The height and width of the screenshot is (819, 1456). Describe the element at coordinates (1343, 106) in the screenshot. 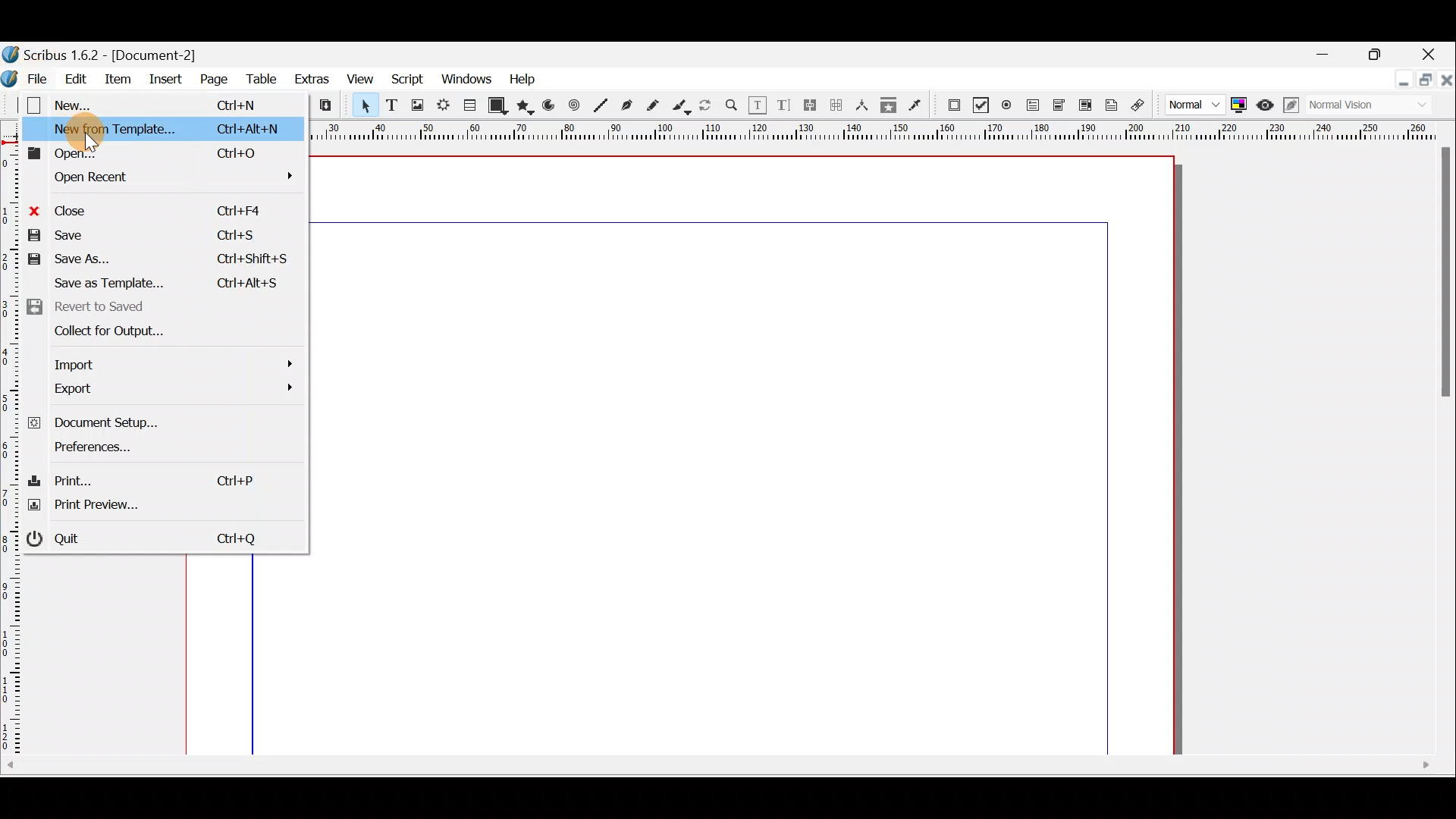

I see `Visual appearance` at that location.